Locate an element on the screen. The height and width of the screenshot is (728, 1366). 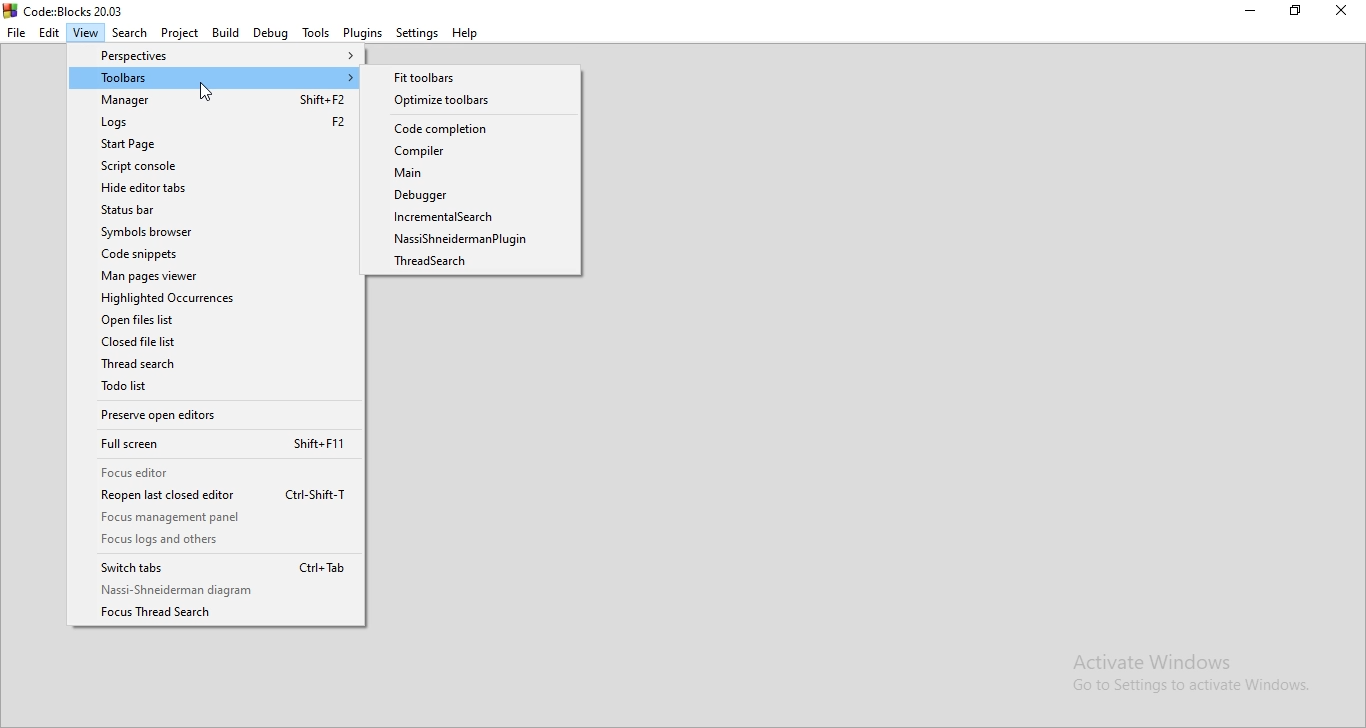
Optimize toolbars is located at coordinates (473, 100).